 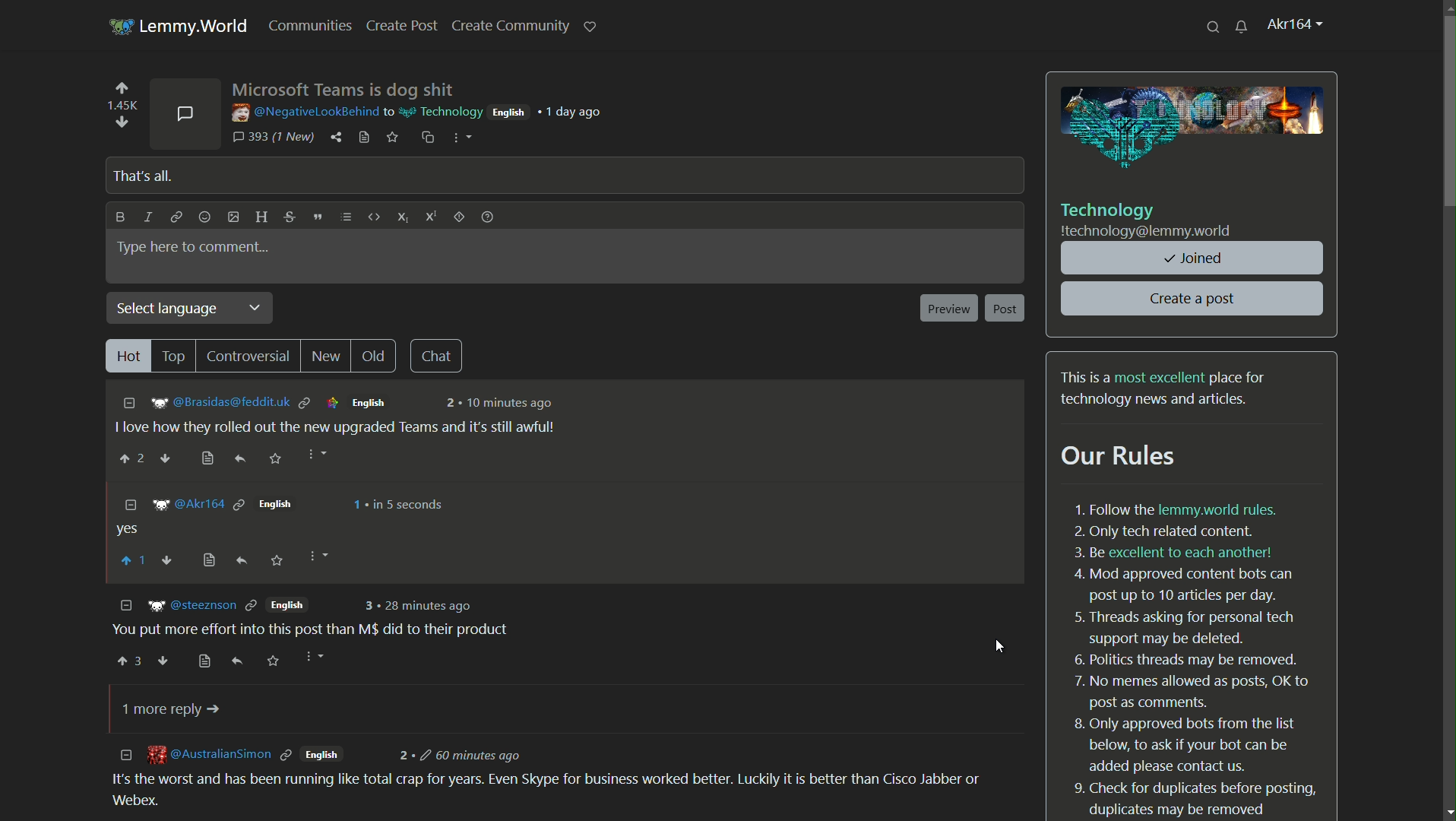 What do you see at coordinates (315, 560) in the screenshot?
I see `more options` at bounding box center [315, 560].